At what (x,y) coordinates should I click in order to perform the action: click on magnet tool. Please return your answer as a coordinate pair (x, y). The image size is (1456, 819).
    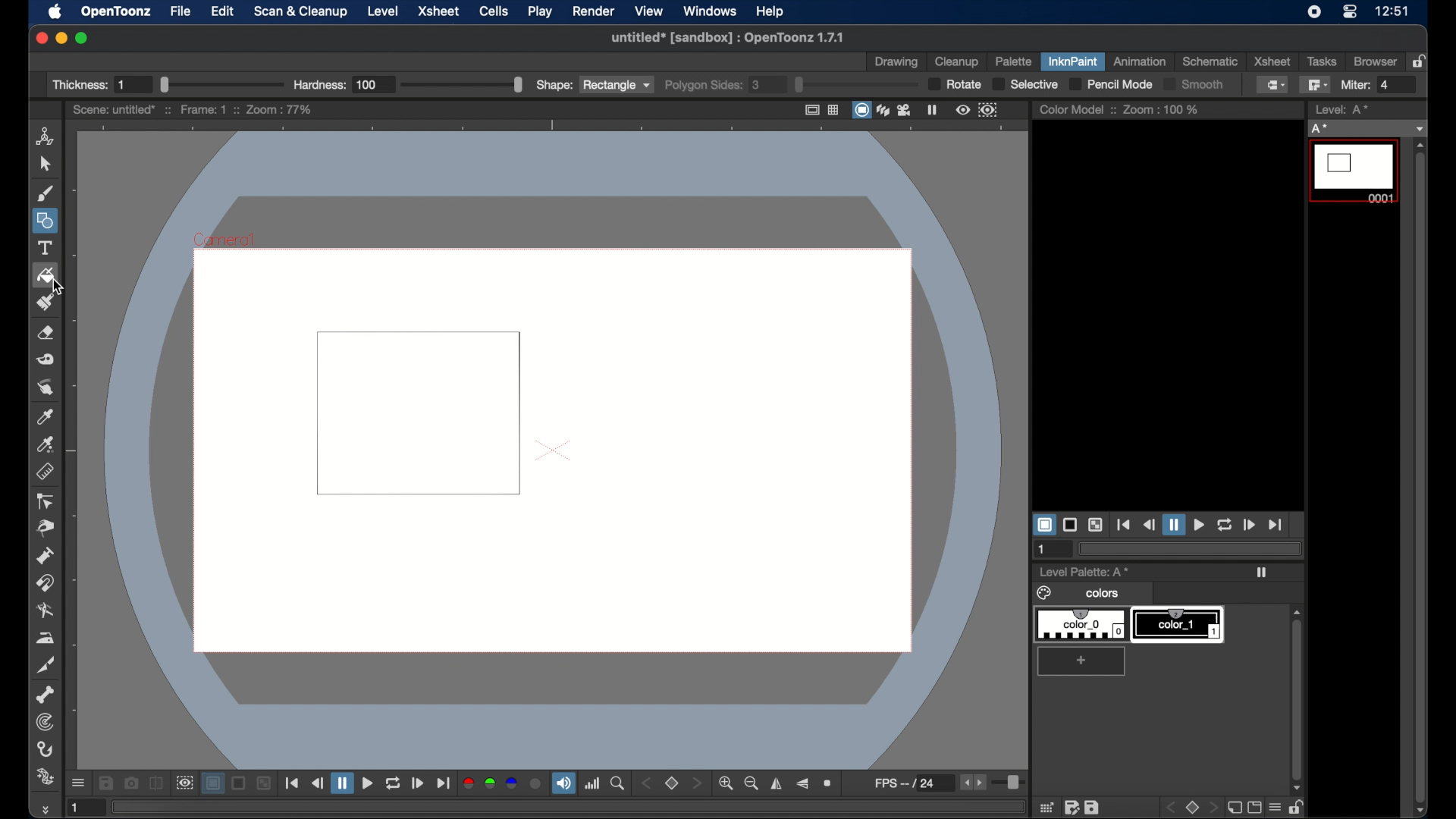
    Looking at the image, I should click on (45, 583).